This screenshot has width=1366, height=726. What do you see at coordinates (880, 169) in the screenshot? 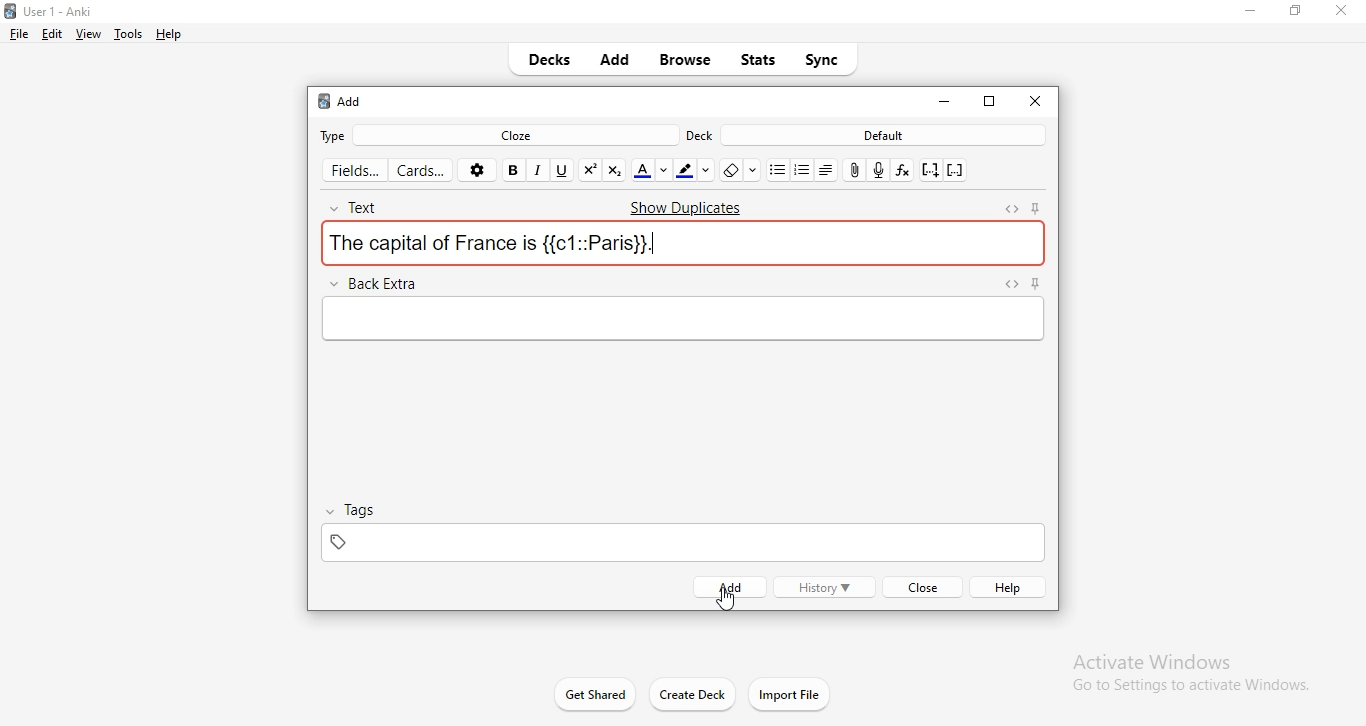
I see `record audio` at bounding box center [880, 169].